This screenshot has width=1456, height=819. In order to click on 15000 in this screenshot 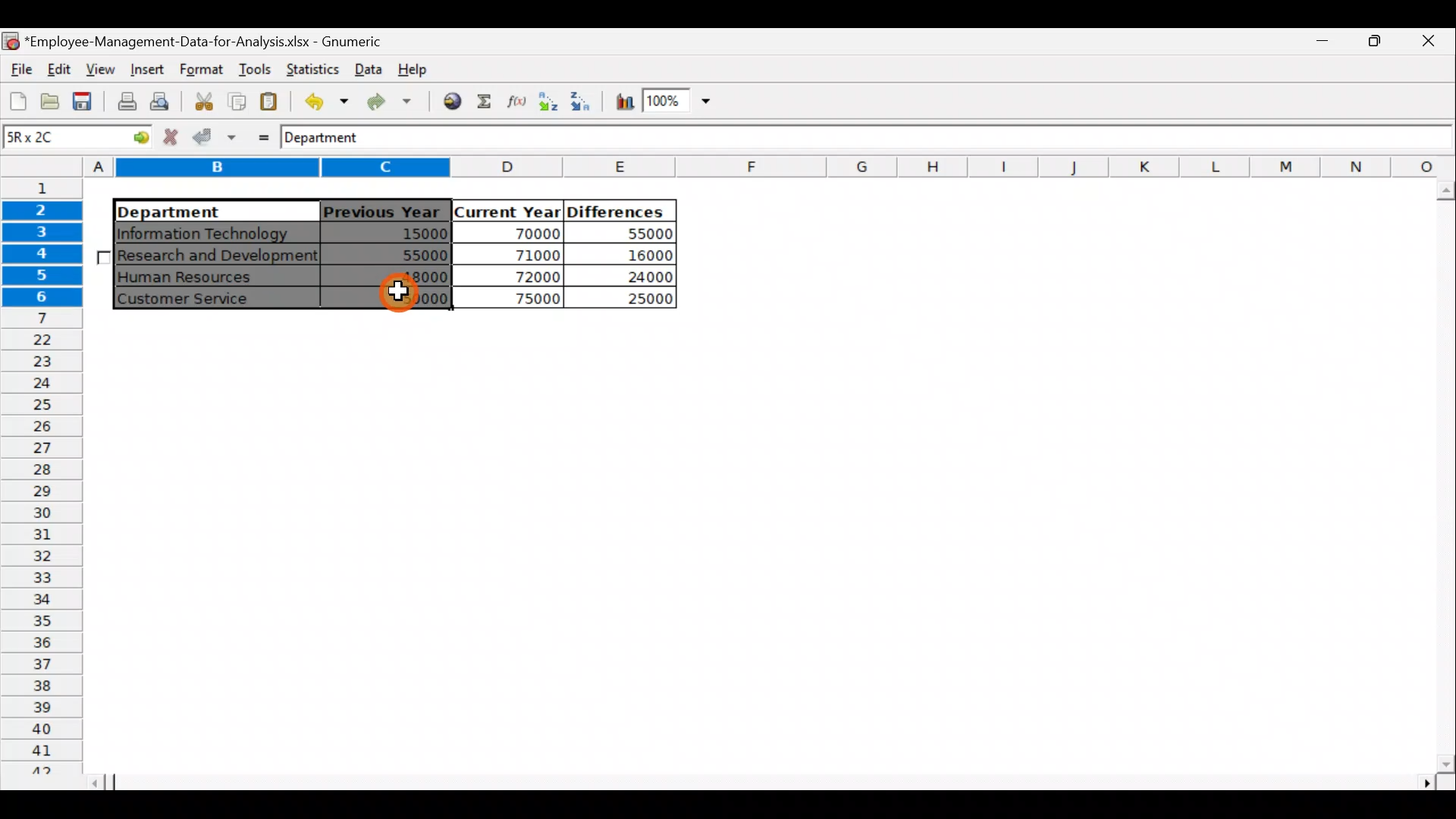, I will do `click(397, 236)`.